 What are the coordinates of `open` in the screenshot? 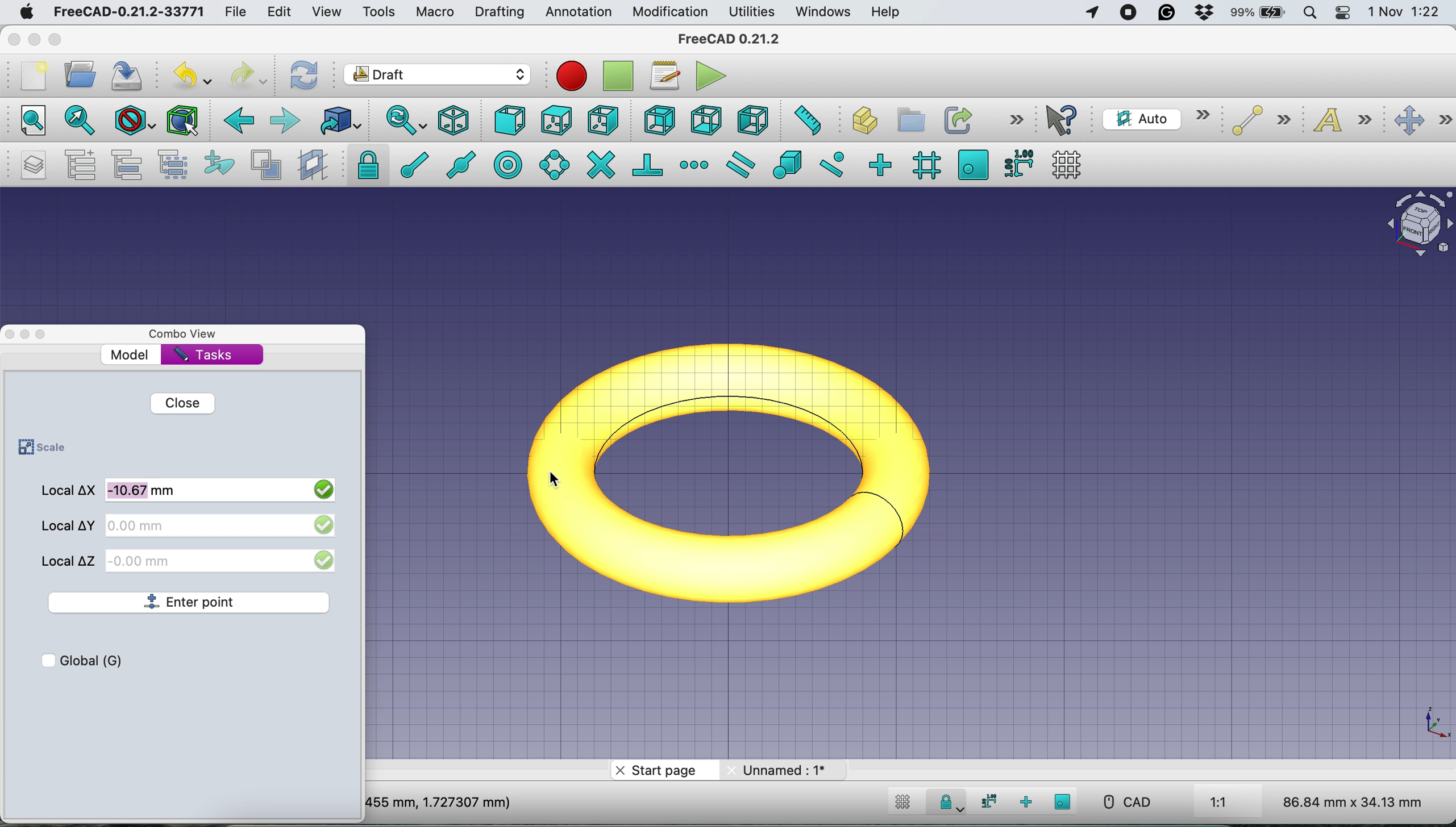 It's located at (80, 77).